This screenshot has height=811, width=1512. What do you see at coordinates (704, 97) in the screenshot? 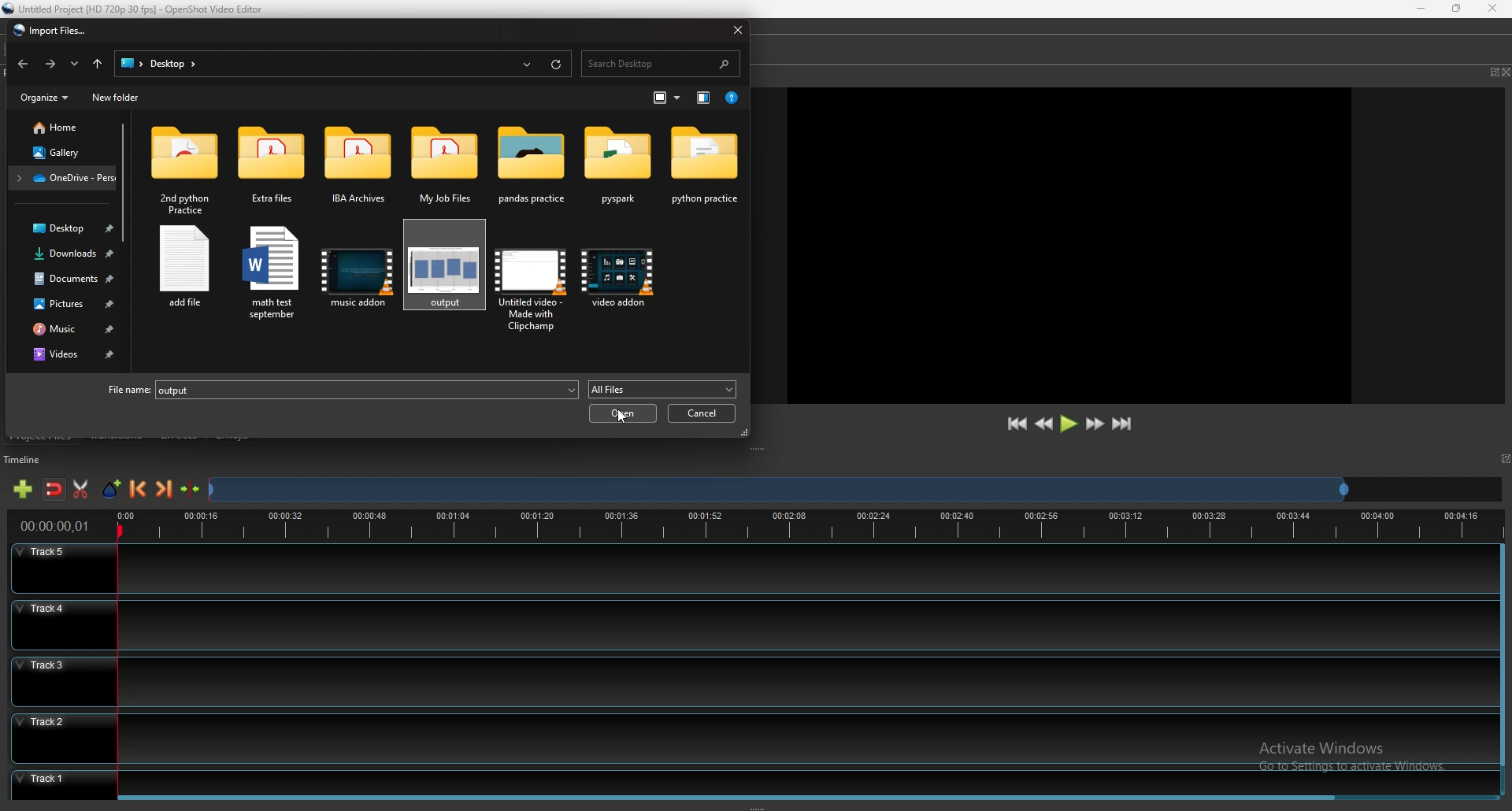
I see `show preview pane` at bounding box center [704, 97].